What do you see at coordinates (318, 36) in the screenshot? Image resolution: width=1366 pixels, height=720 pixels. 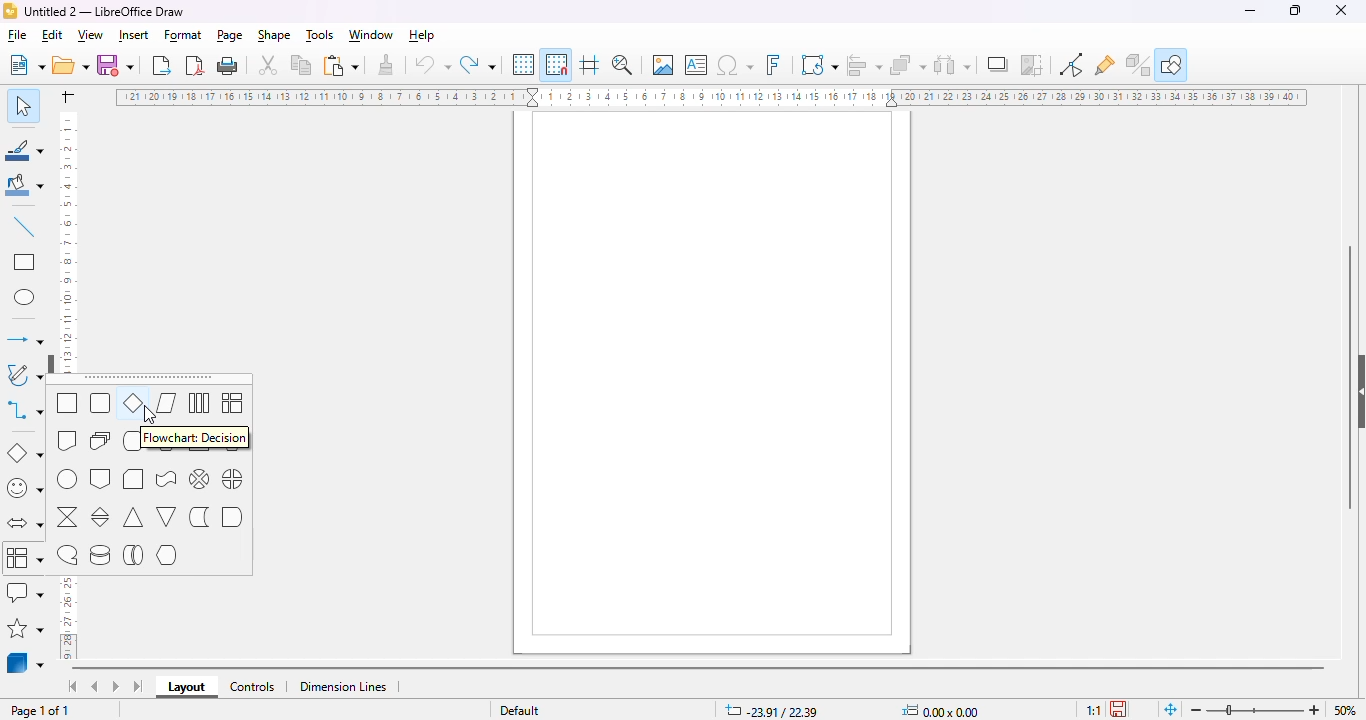 I see `tools` at bounding box center [318, 36].